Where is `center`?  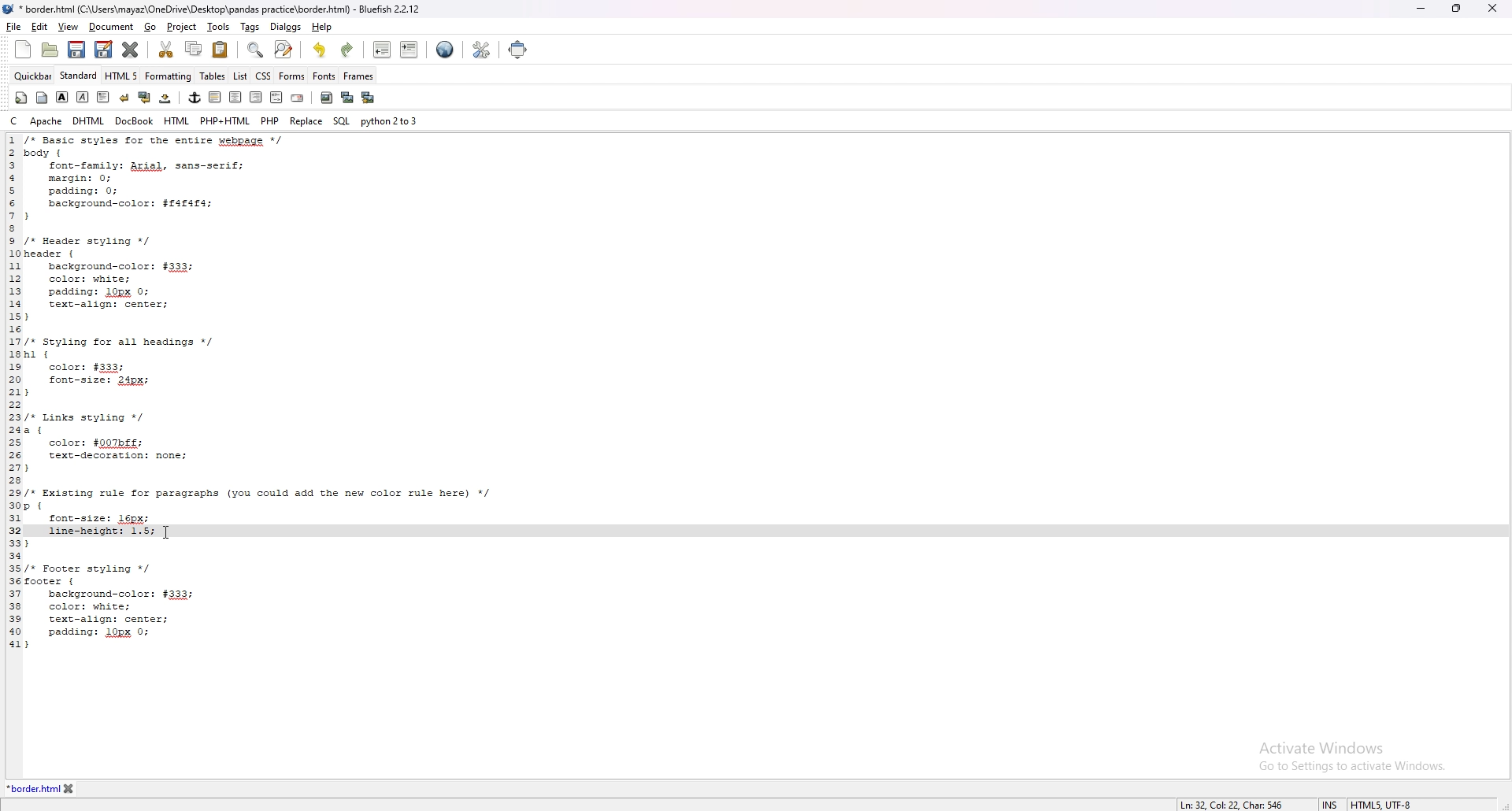 center is located at coordinates (235, 97).